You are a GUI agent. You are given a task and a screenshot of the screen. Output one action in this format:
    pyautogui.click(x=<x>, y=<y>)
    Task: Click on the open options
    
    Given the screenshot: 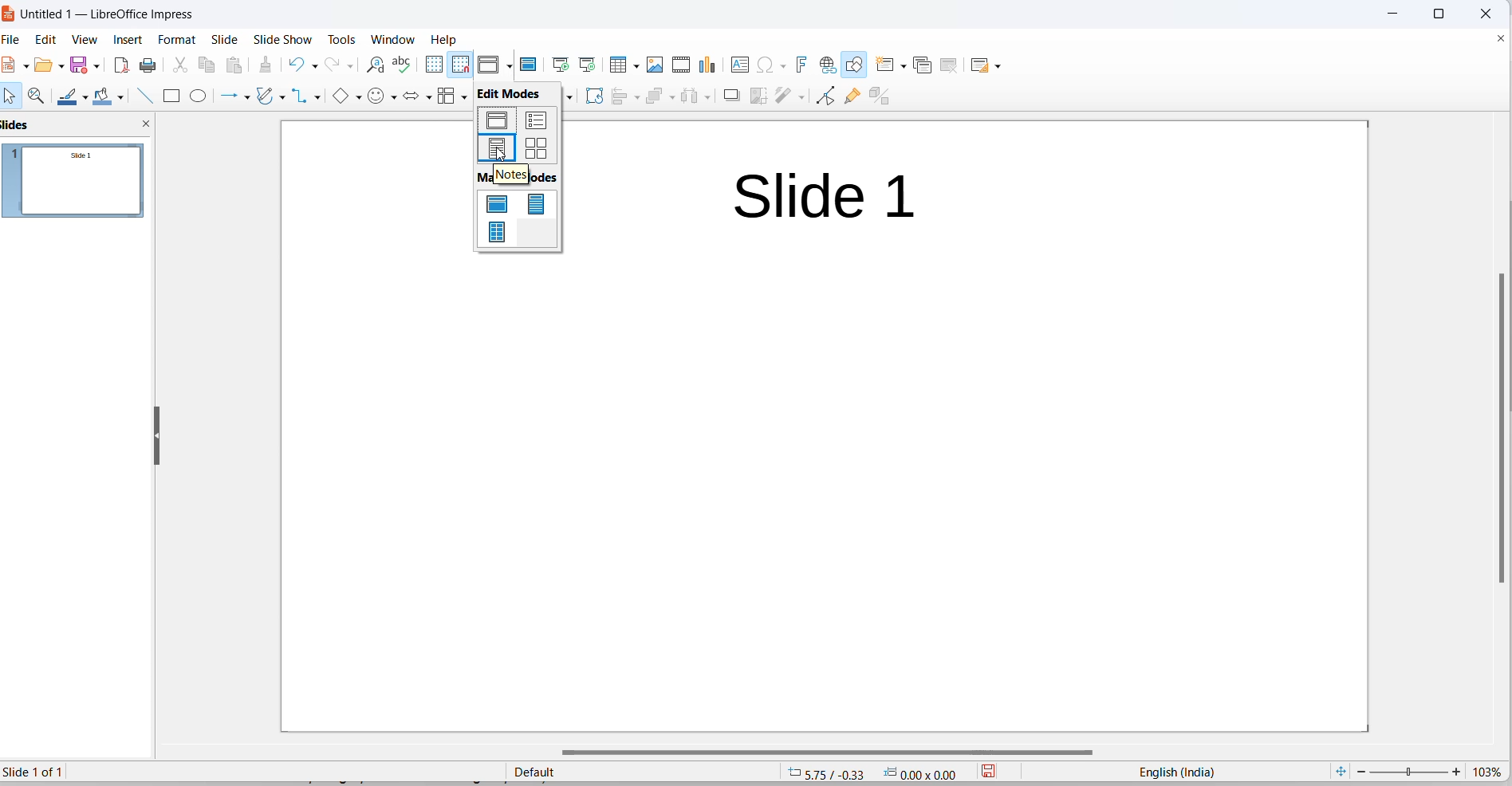 What is the action you would take?
    pyautogui.click(x=58, y=65)
    